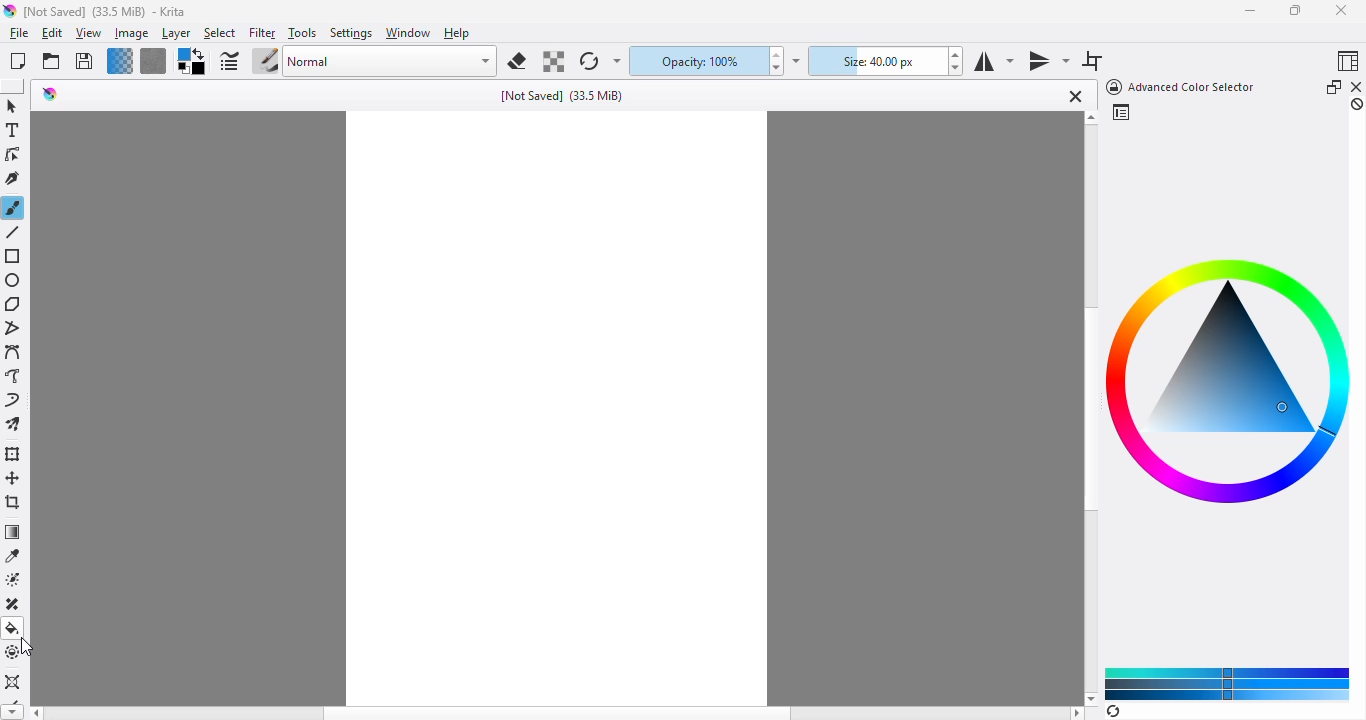  I want to click on minimize, so click(1250, 11).